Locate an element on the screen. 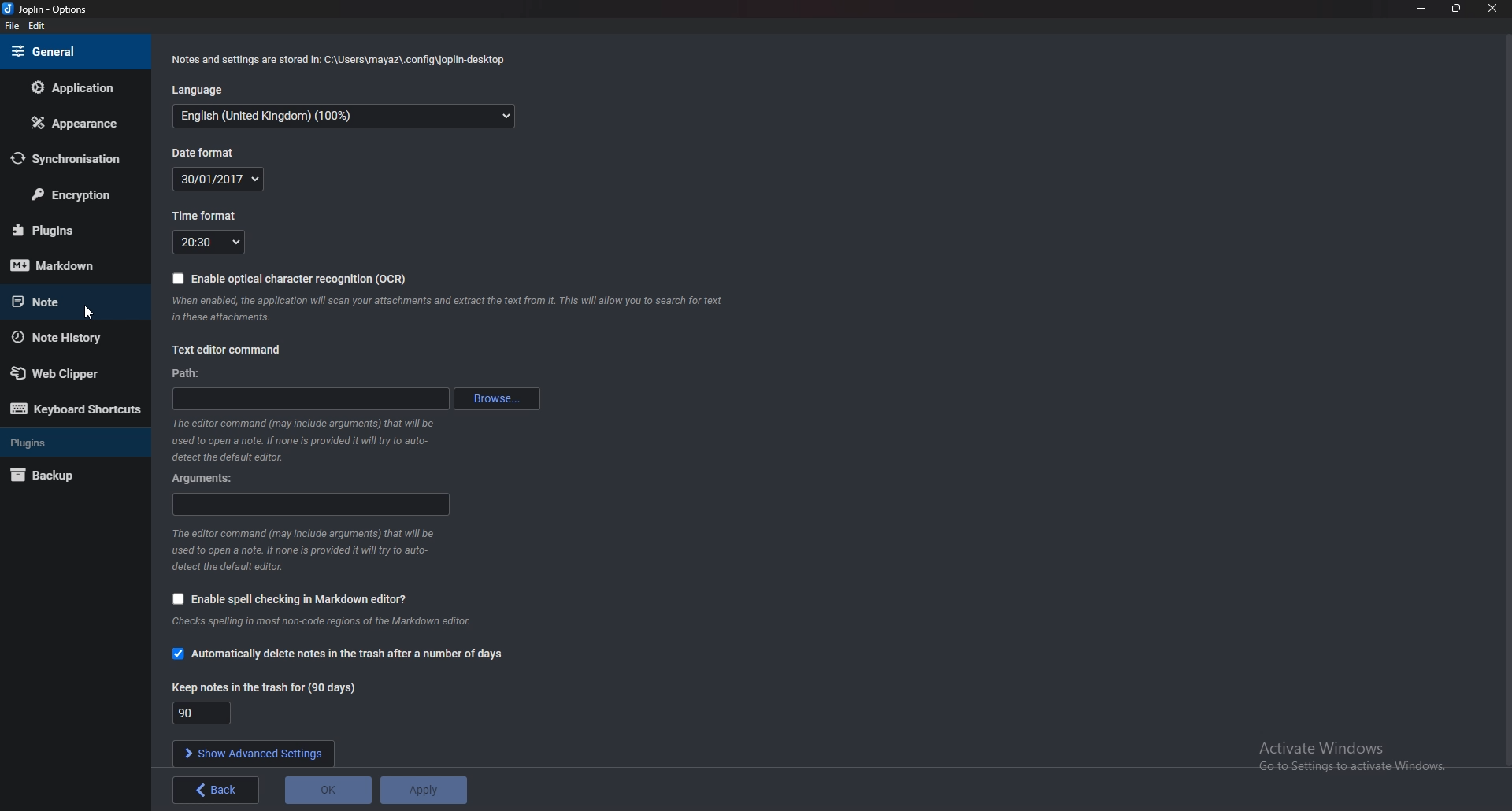 The height and width of the screenshot is (811, 1512). path is located at coordinates (309, 398).